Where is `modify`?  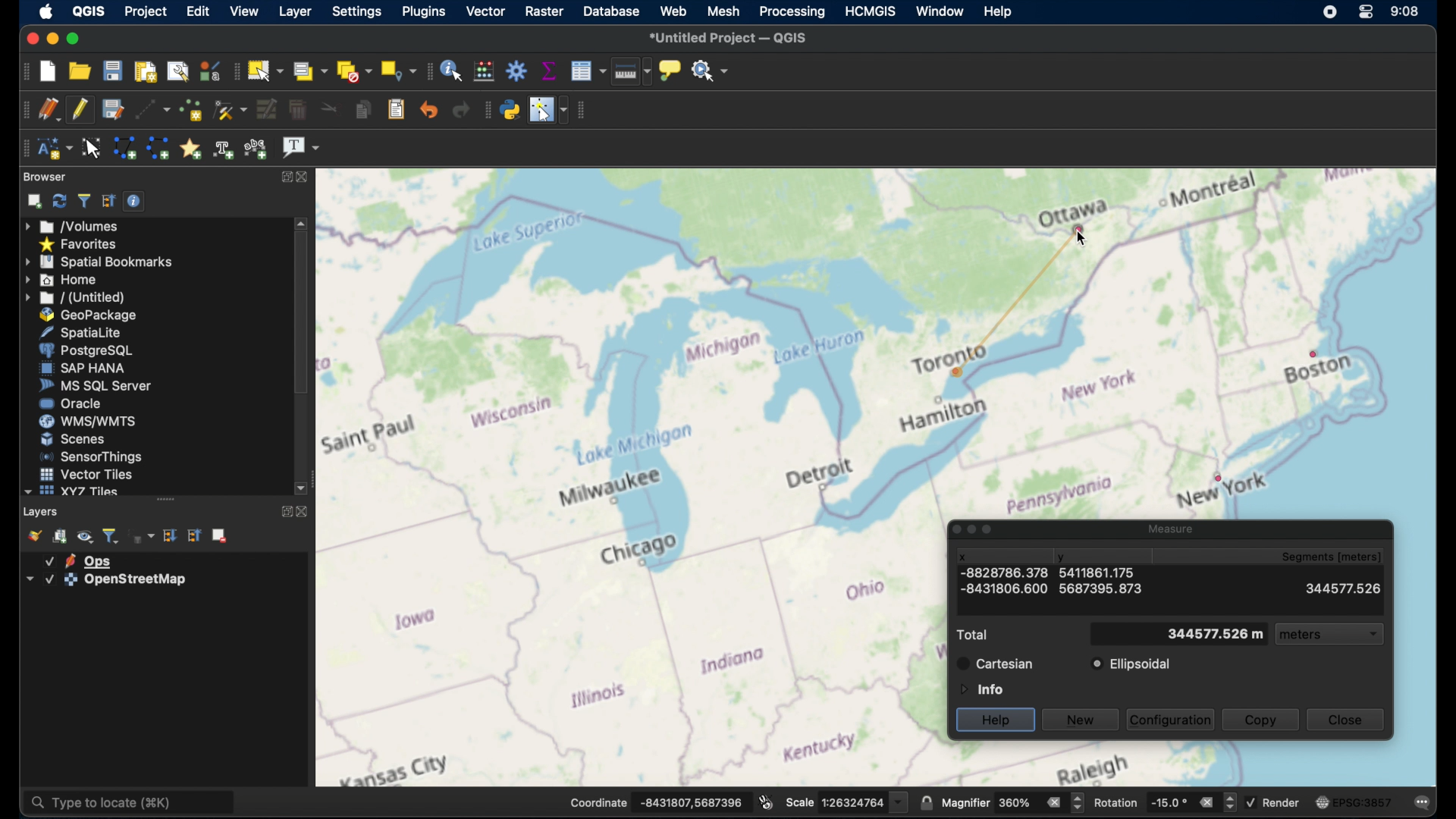
modify is located at coordinates (265, 108).